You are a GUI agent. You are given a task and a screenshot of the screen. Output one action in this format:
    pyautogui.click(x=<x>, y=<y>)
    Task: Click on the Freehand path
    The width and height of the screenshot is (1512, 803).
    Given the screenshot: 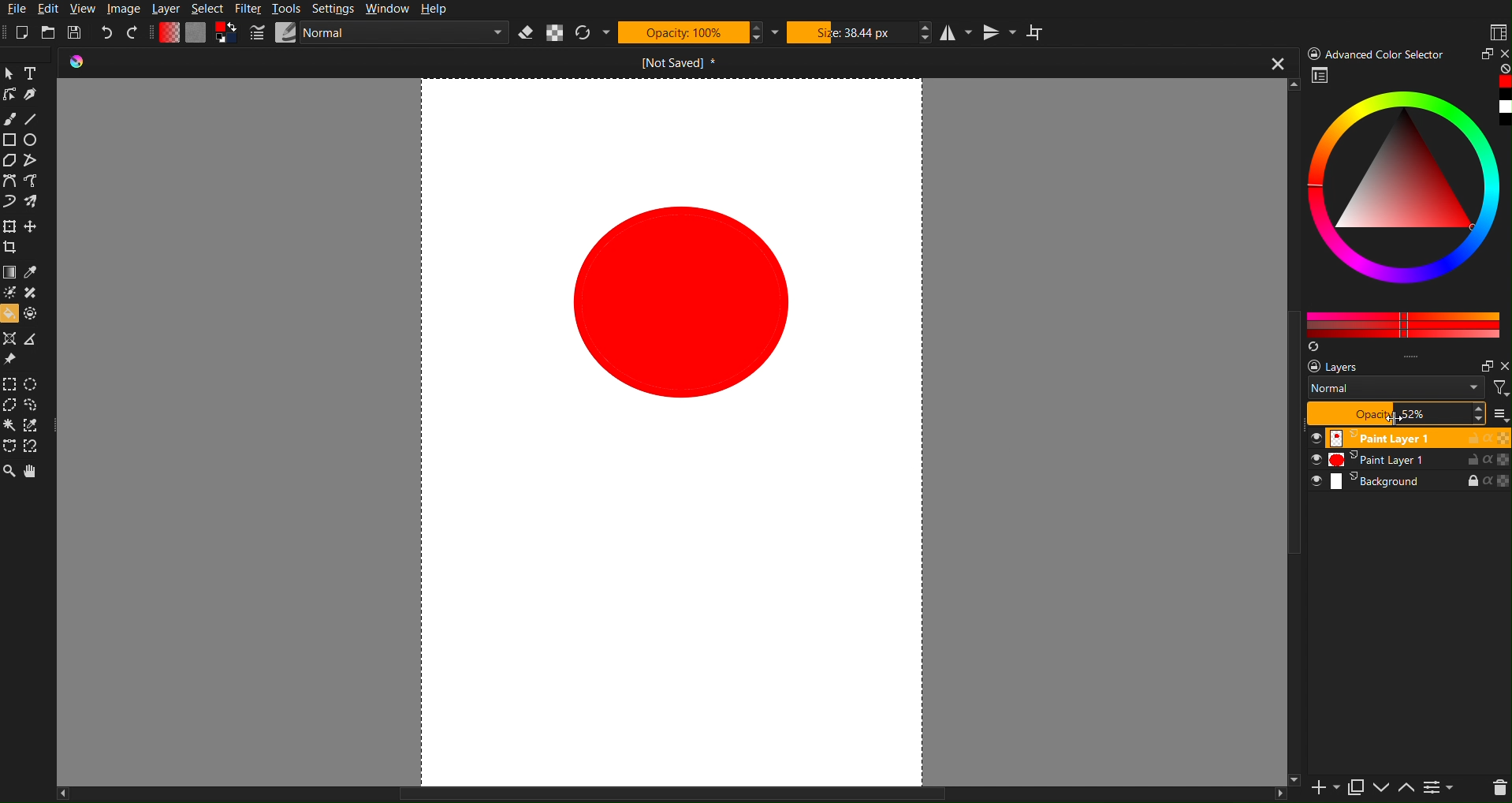 What is the action you would take?
    pyautogui.click(x=32, y=181)
    